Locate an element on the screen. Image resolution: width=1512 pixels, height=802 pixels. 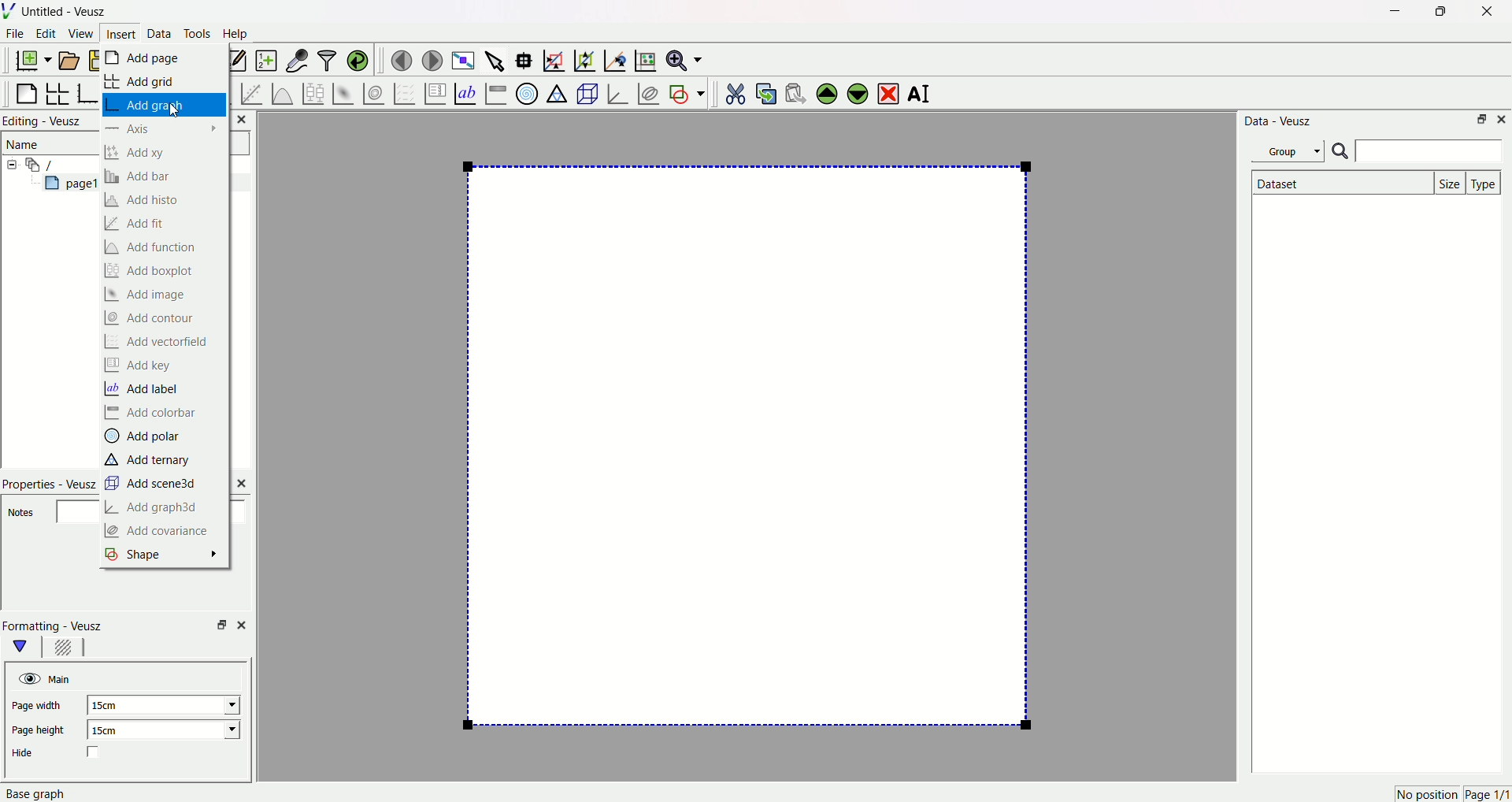
Page width is located at coordinates (42, 707).